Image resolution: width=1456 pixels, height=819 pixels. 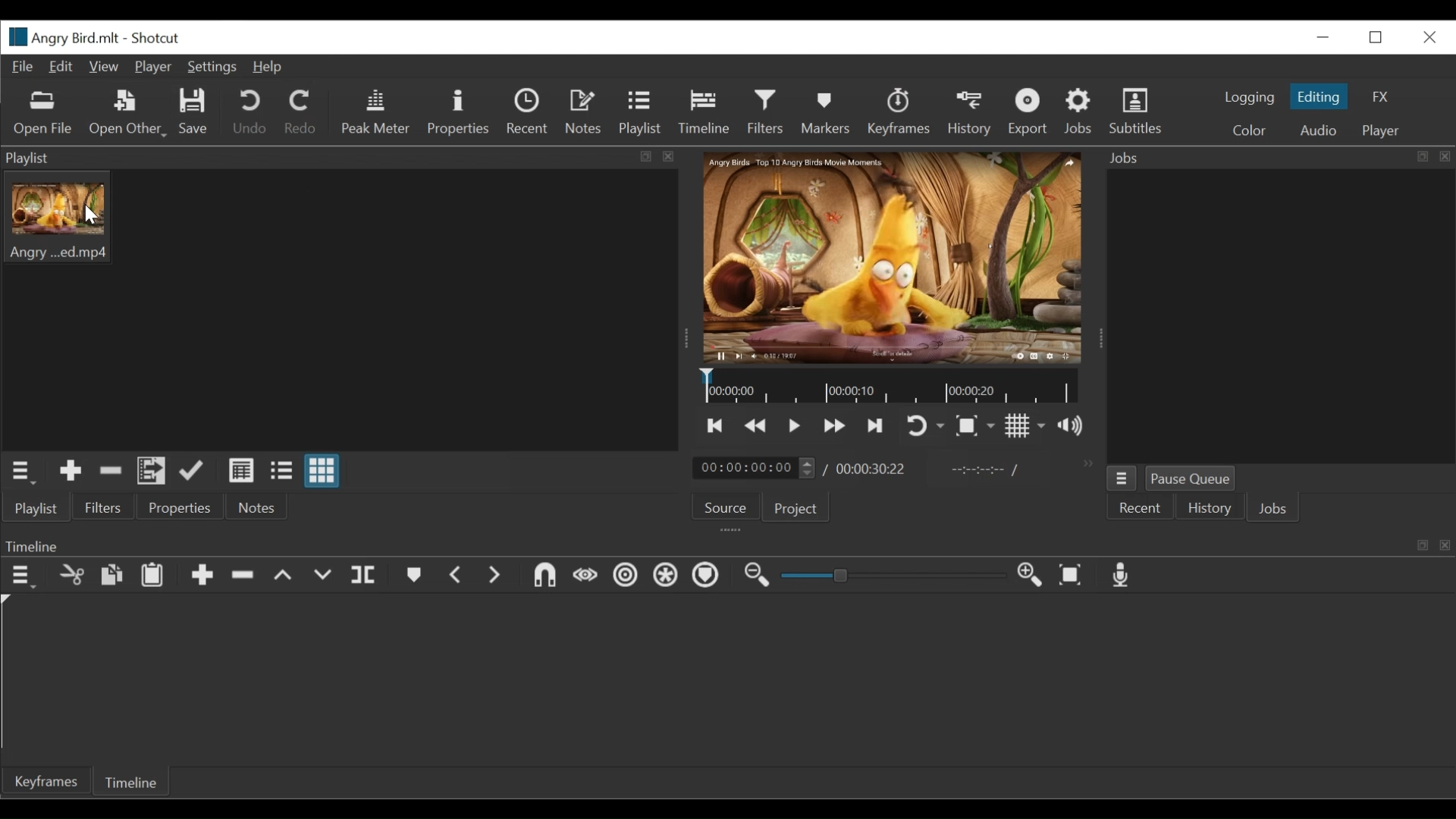 What do you see at coordinates (704, 113) in the screenshot?
I see `Timeline` at bounding box center [704, 113].